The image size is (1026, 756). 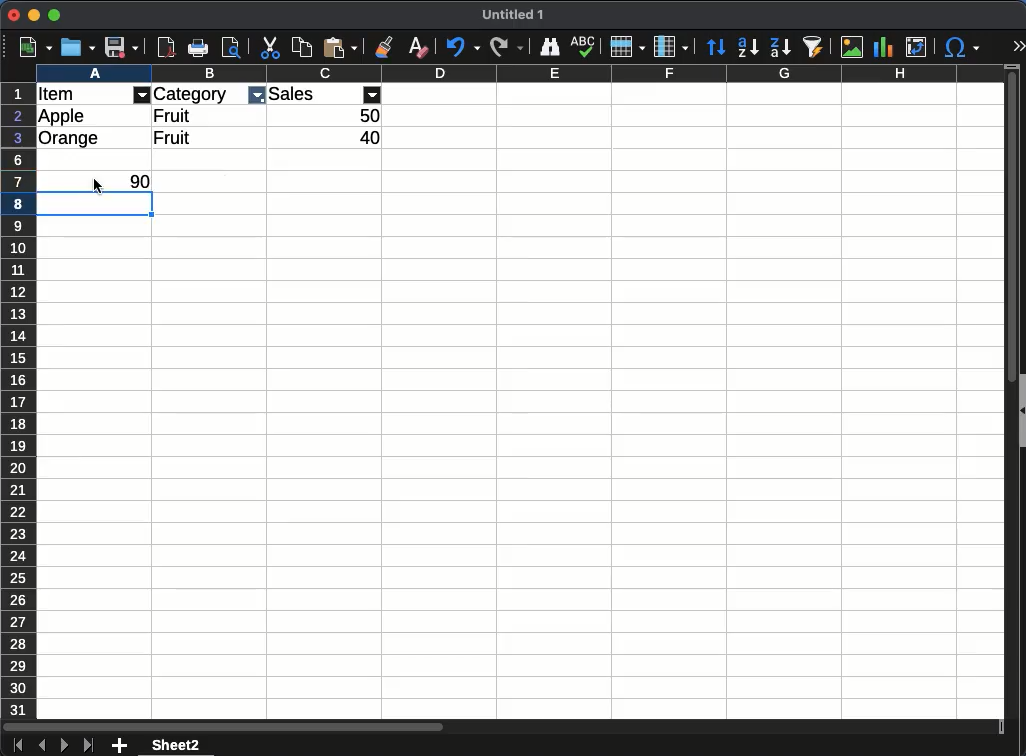 What do you see at coordinates (715, 45) in the screenshot?
I see `sort` at bounding box center [715, 45].